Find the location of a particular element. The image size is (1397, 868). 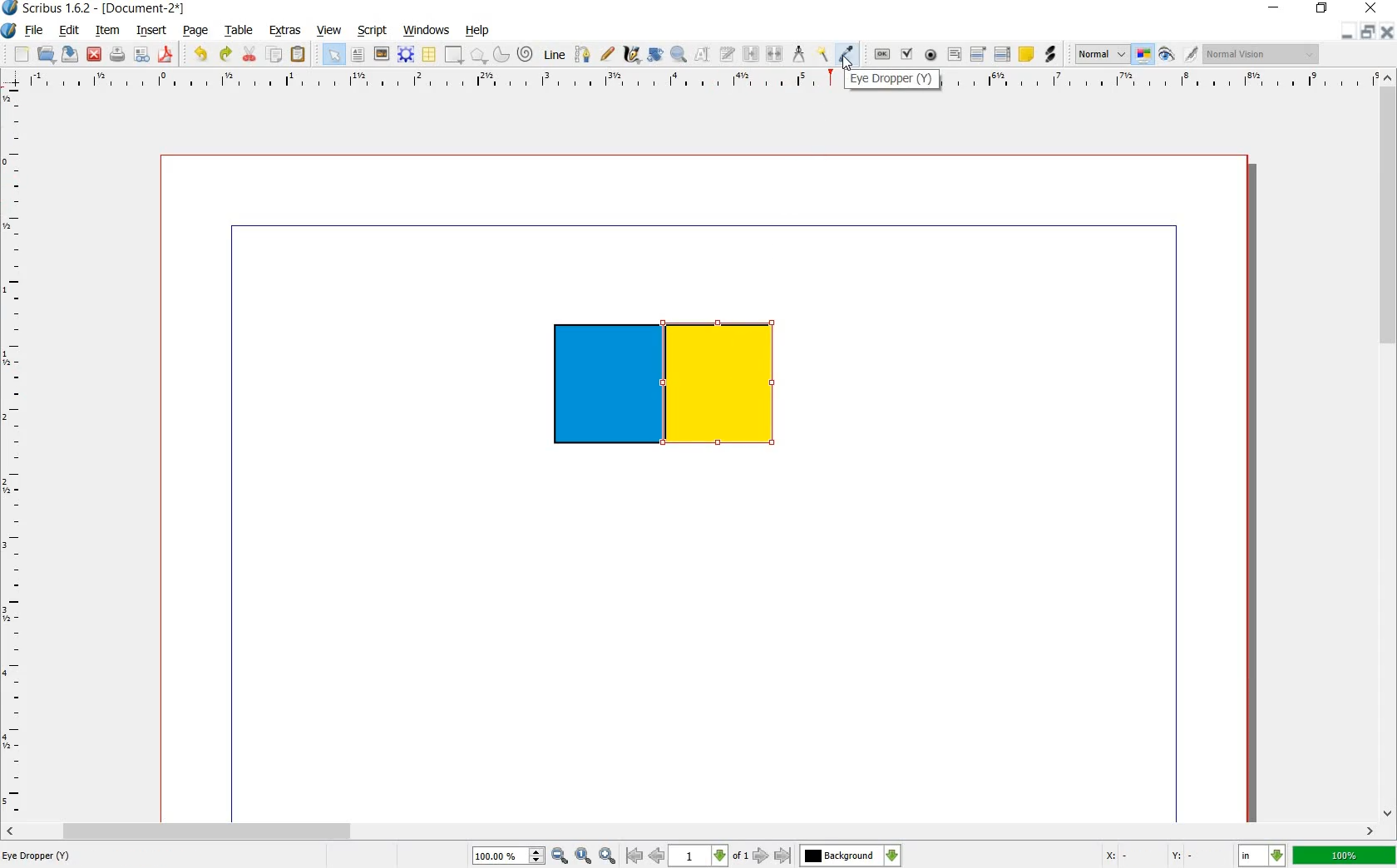

unlink text frames is located at coordinates (776, 52).